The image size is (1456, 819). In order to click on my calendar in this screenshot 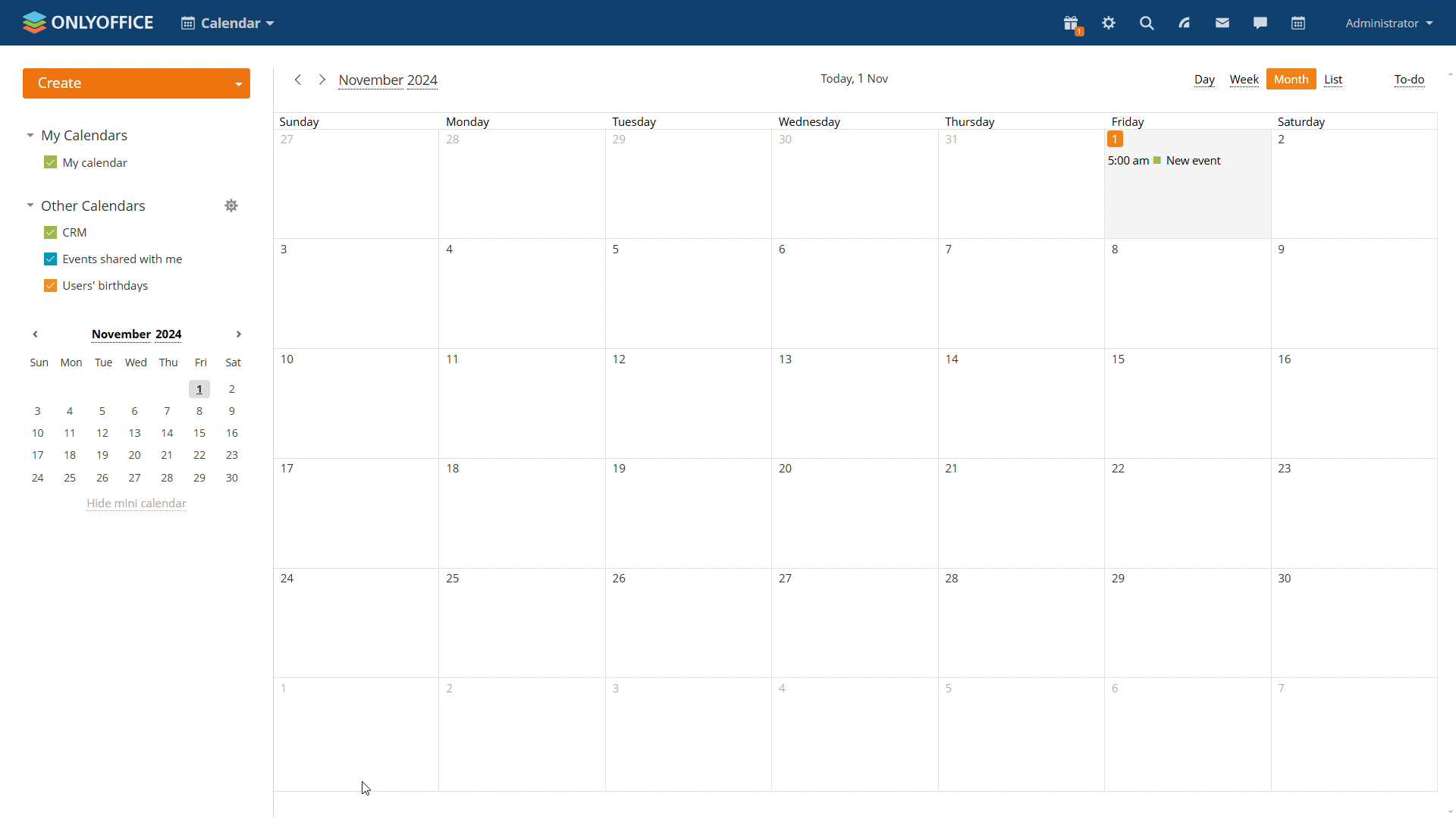, I will do `click(88, 165)`.